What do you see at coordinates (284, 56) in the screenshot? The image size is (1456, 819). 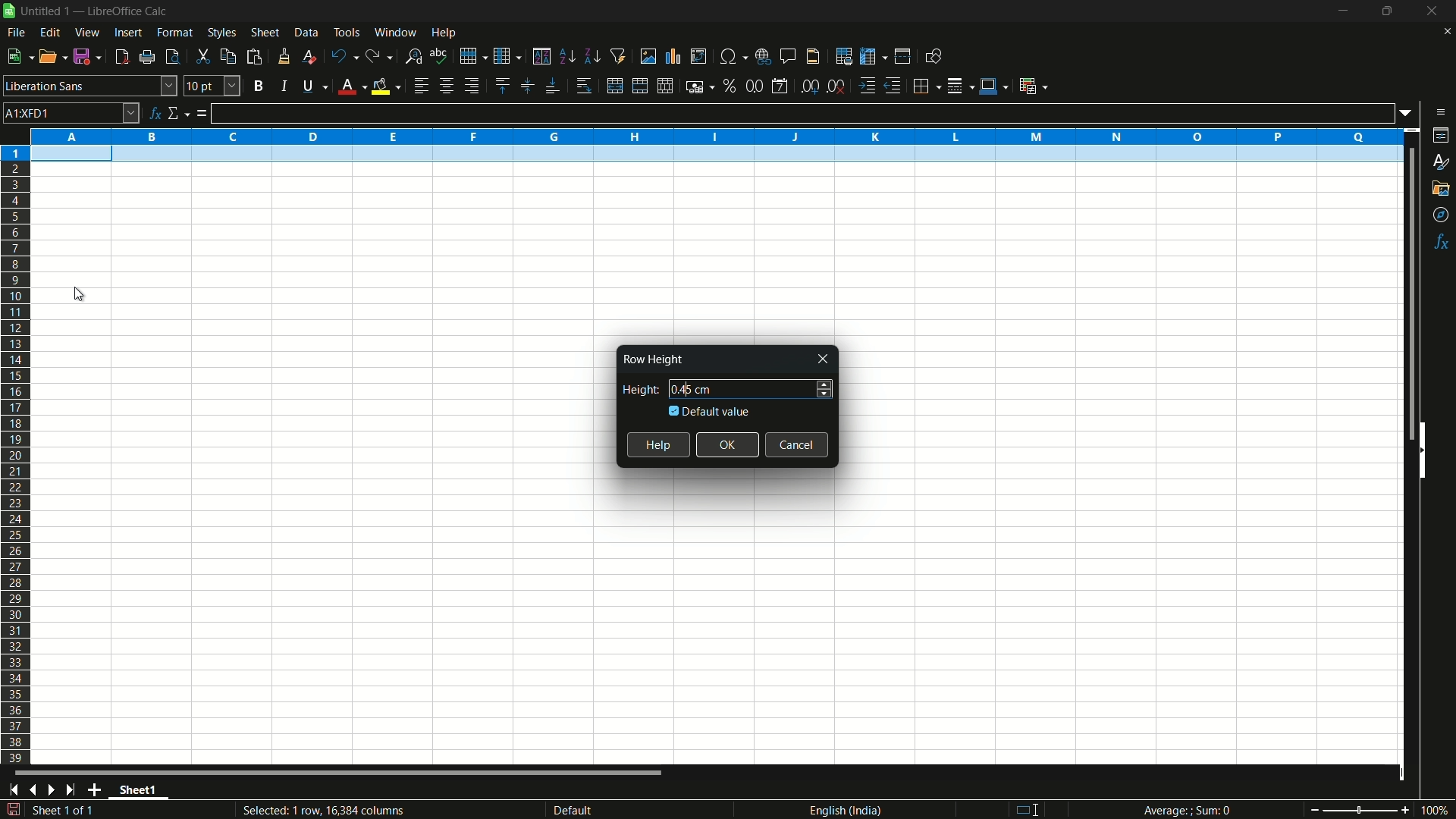 I see `clone formatting` at bounding box center [284, 56].